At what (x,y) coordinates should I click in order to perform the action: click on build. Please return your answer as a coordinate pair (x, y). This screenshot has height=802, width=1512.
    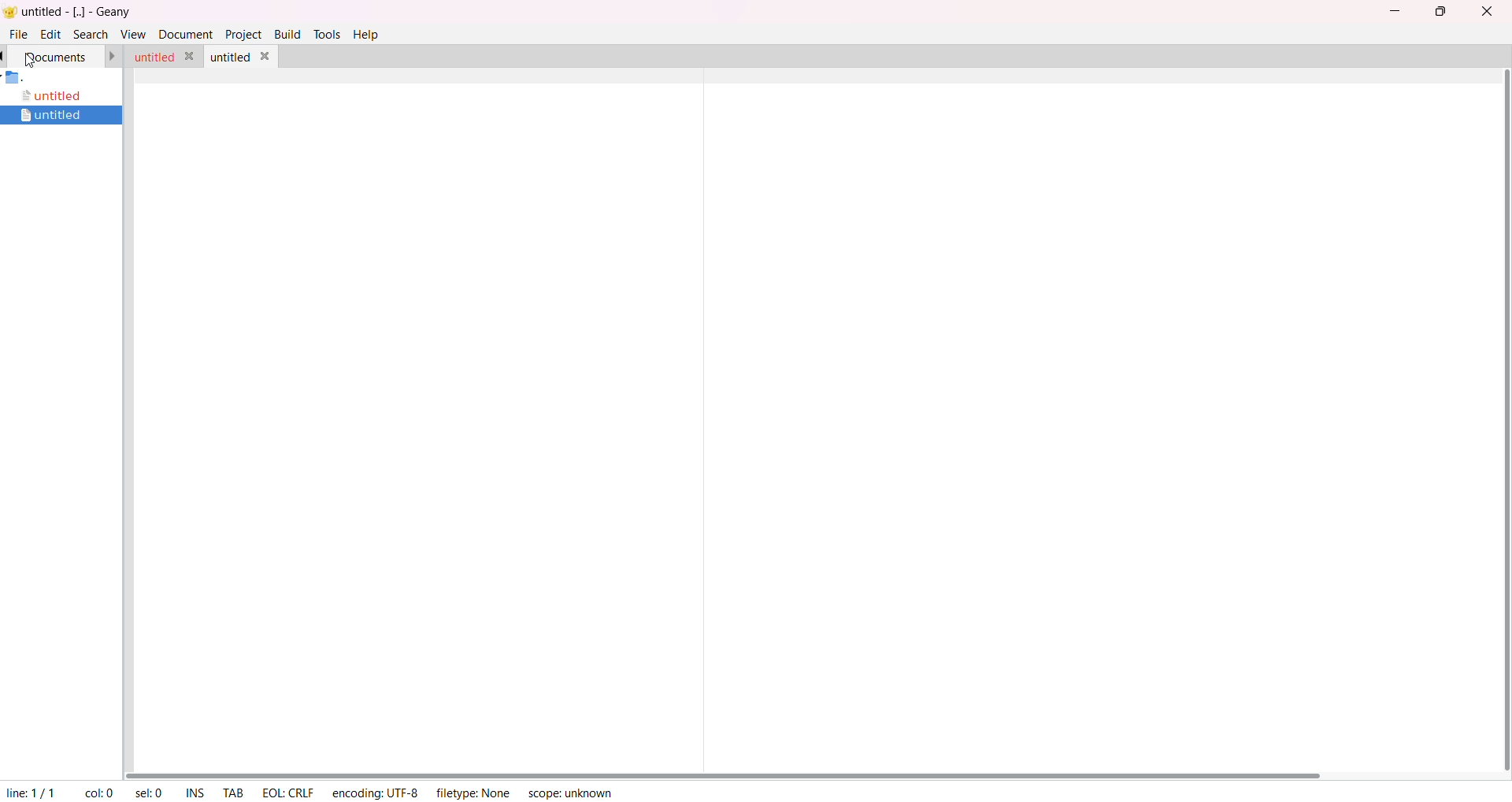
    Looking at the image, I should click on (287, 32).